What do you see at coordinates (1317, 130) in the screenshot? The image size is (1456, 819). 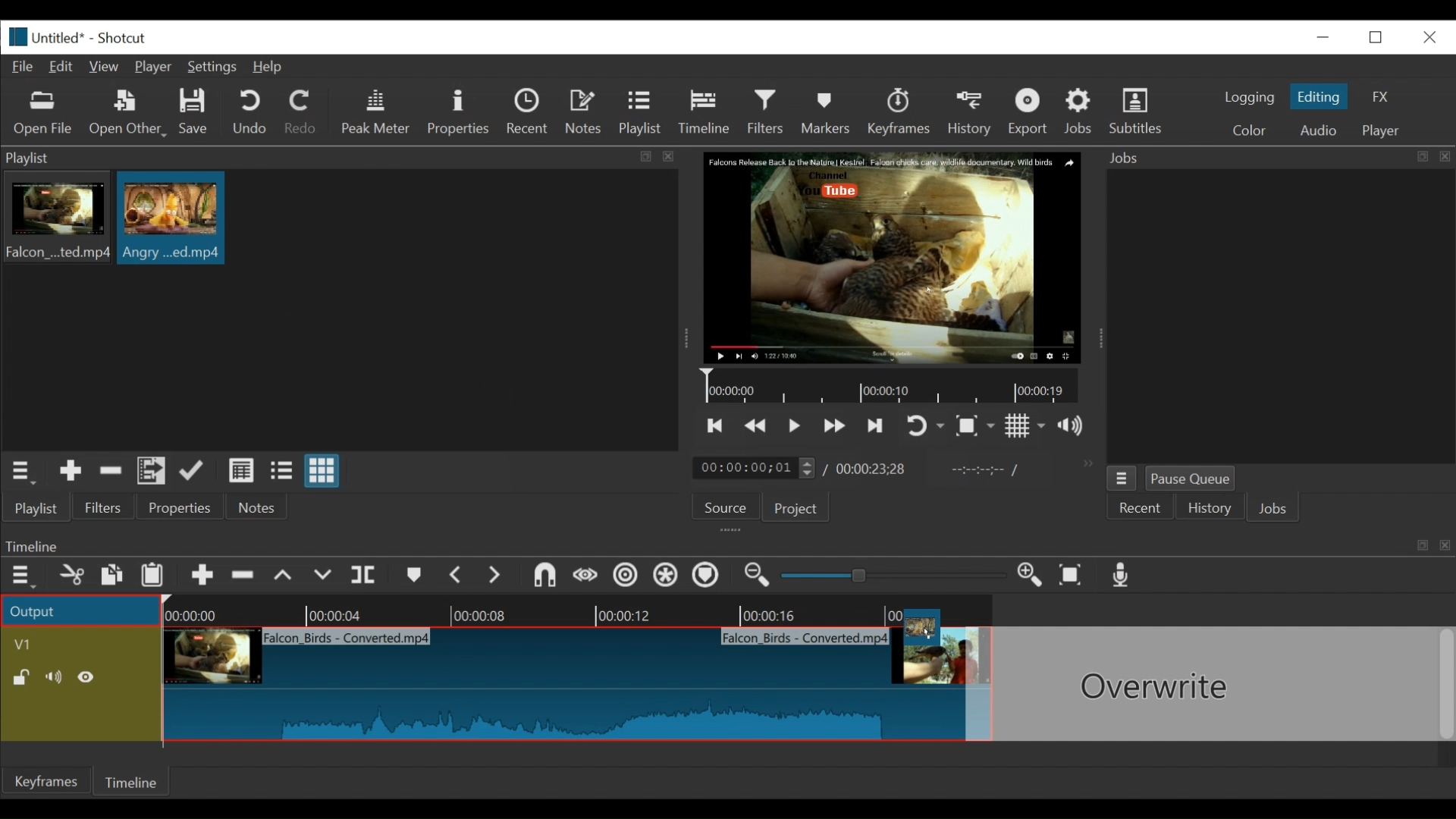 I see `Audio` at bounding box center [1317, 130].